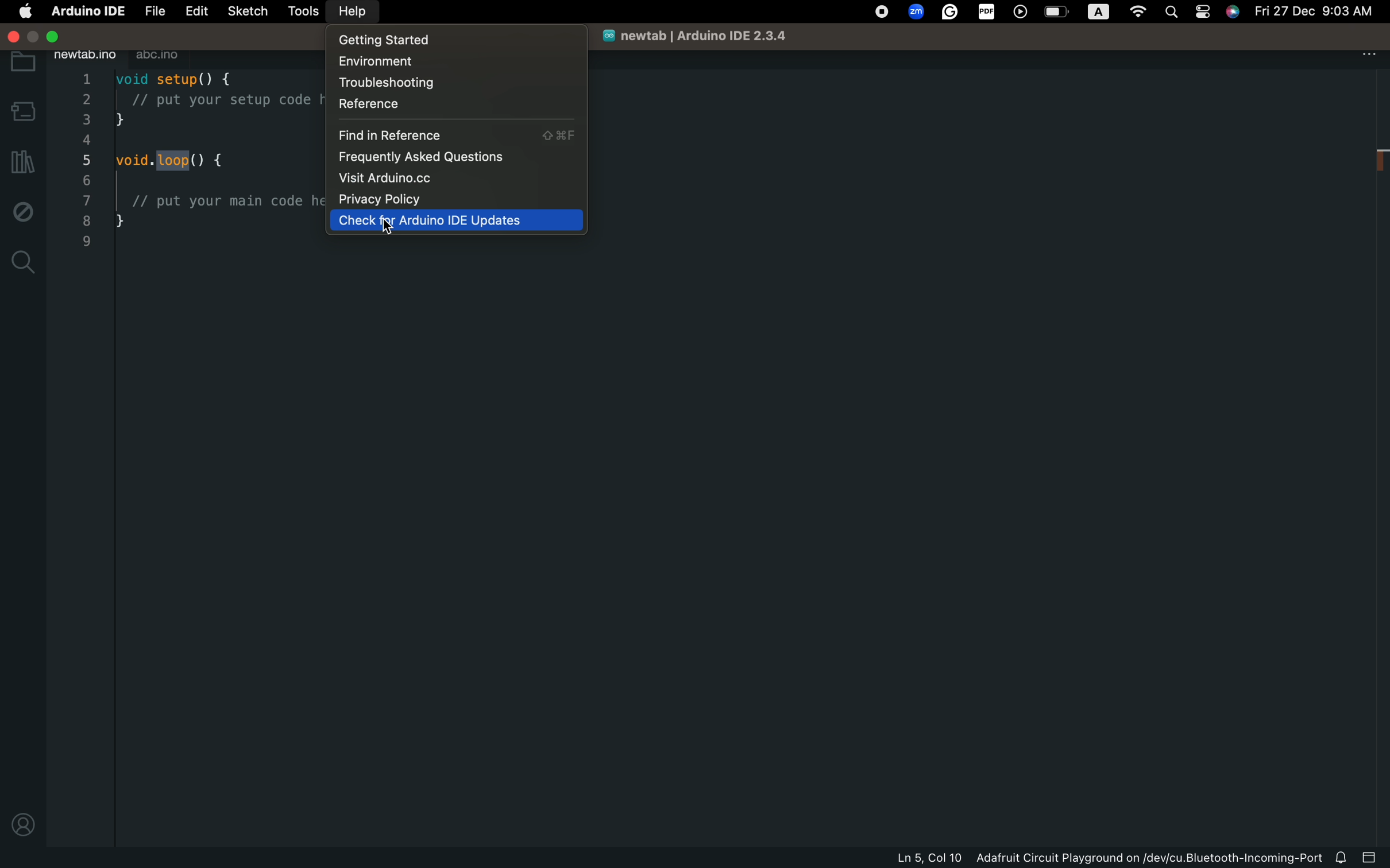  What do you see at coordinates (217, 154) in the screenshot?
I see `code` at bounding box center [217, 154].